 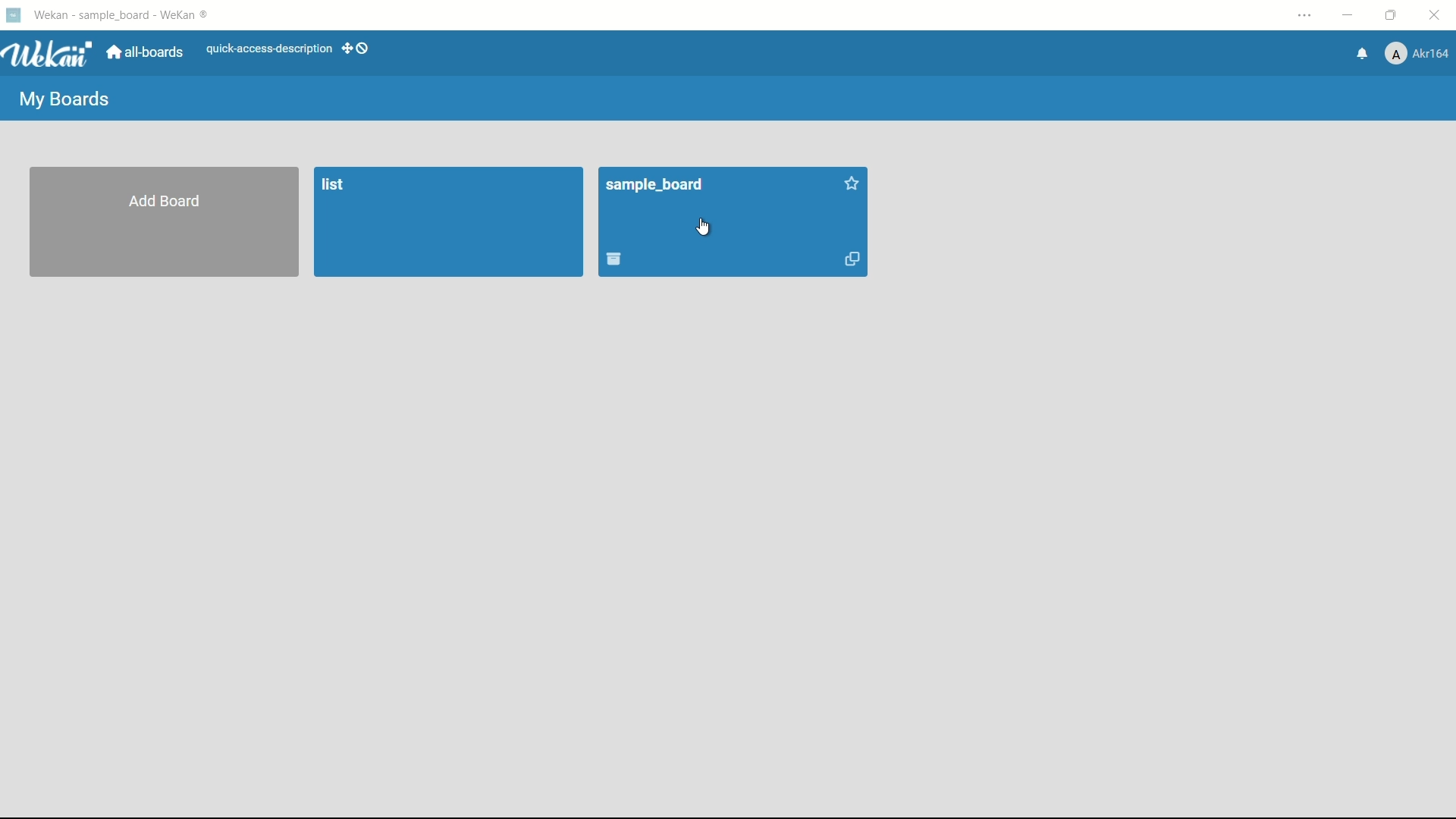 I want to click on close app, so click(x=1435, y=17).